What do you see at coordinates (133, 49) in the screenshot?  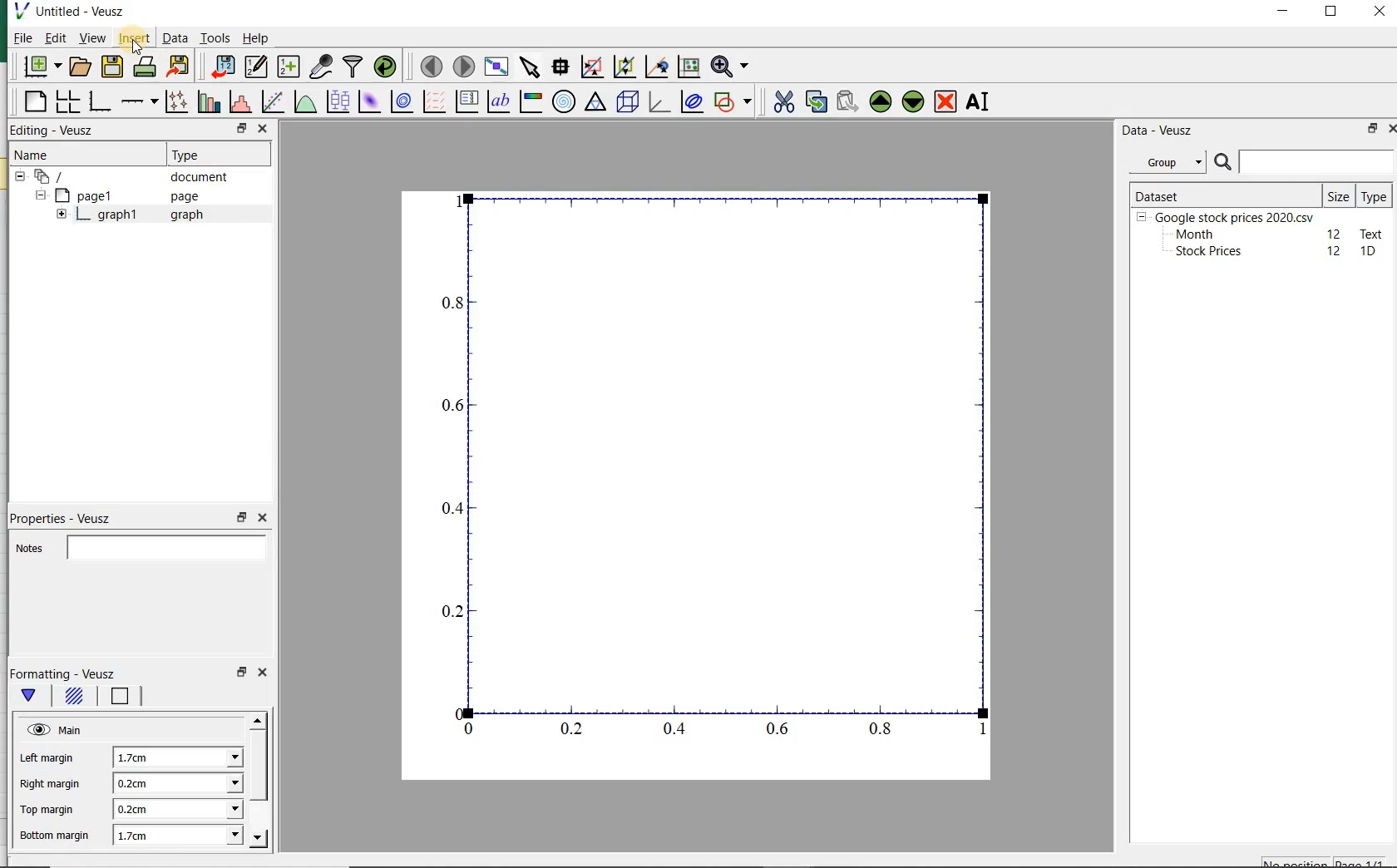 I see `cursor` at bounding box center [133, 49].